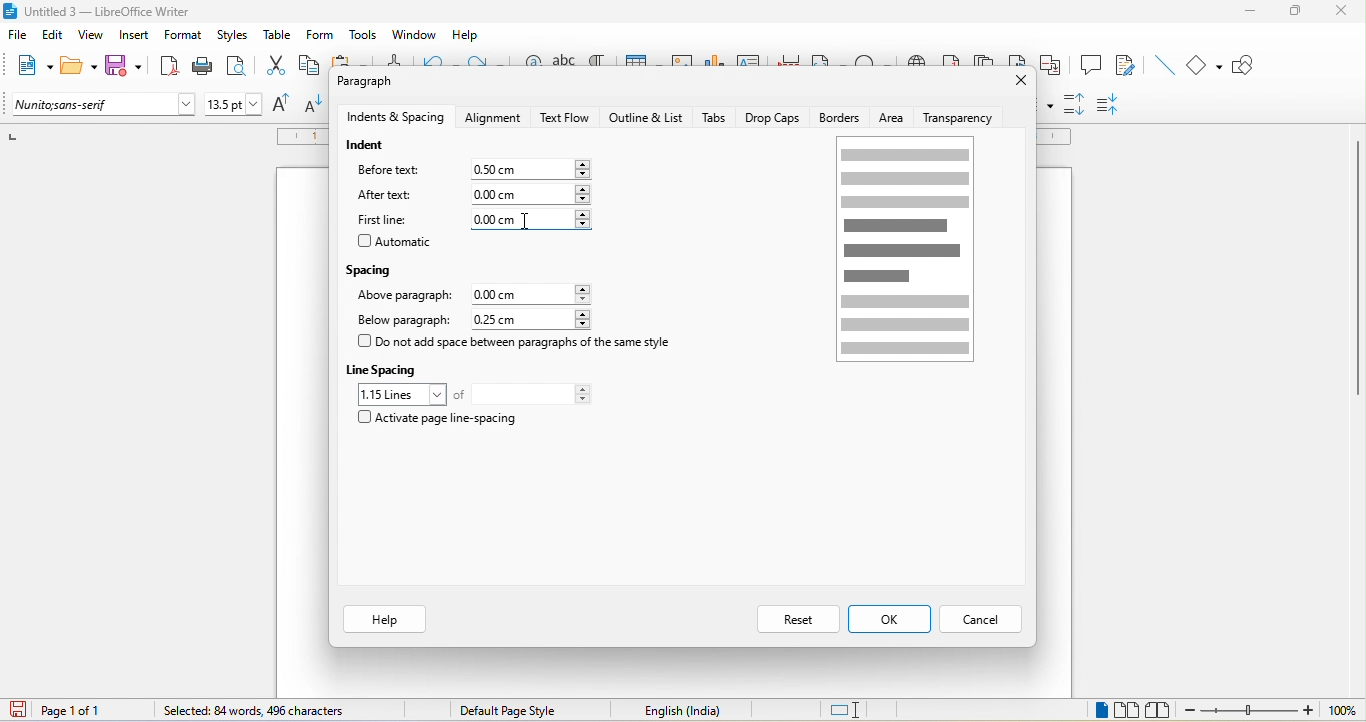  Describe the element at coordinates (168, 65) in the screenshot. I see `export directly as pdf` at that location.